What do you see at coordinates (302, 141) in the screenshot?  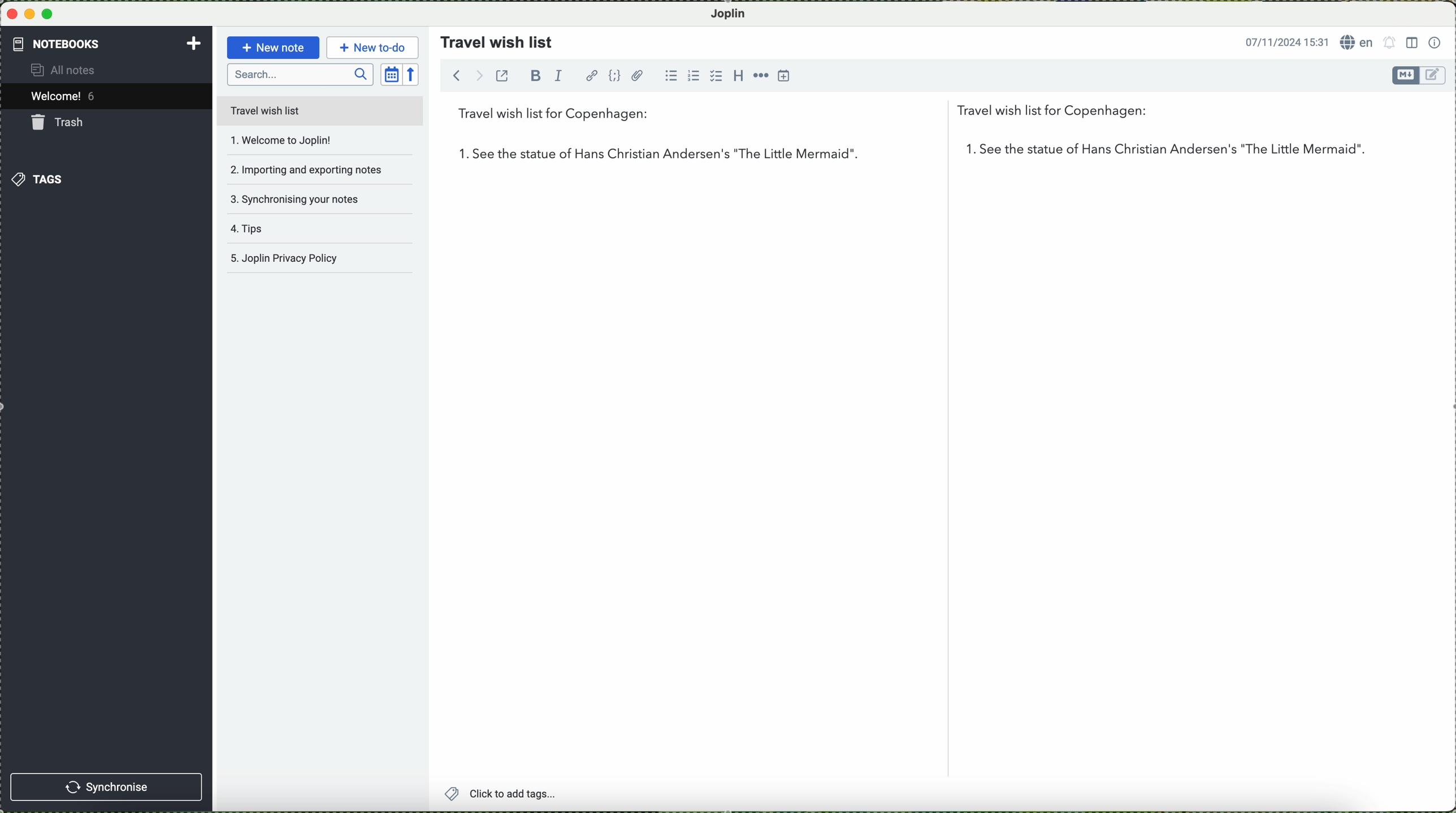 I see `welcome to joplin` at bounding box center [302, 141].